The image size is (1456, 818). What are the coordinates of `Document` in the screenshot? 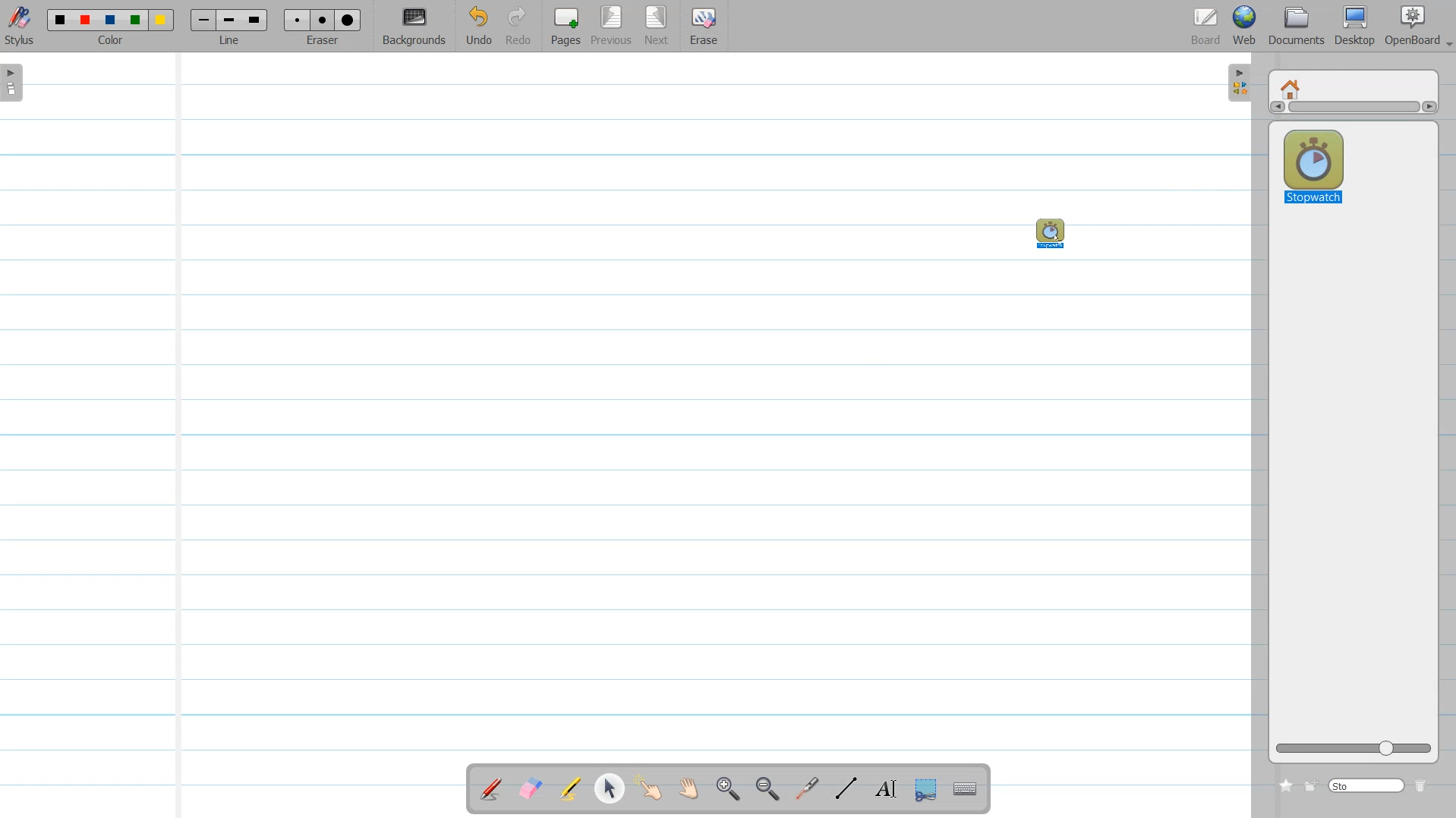 It's located at (1297, 26).